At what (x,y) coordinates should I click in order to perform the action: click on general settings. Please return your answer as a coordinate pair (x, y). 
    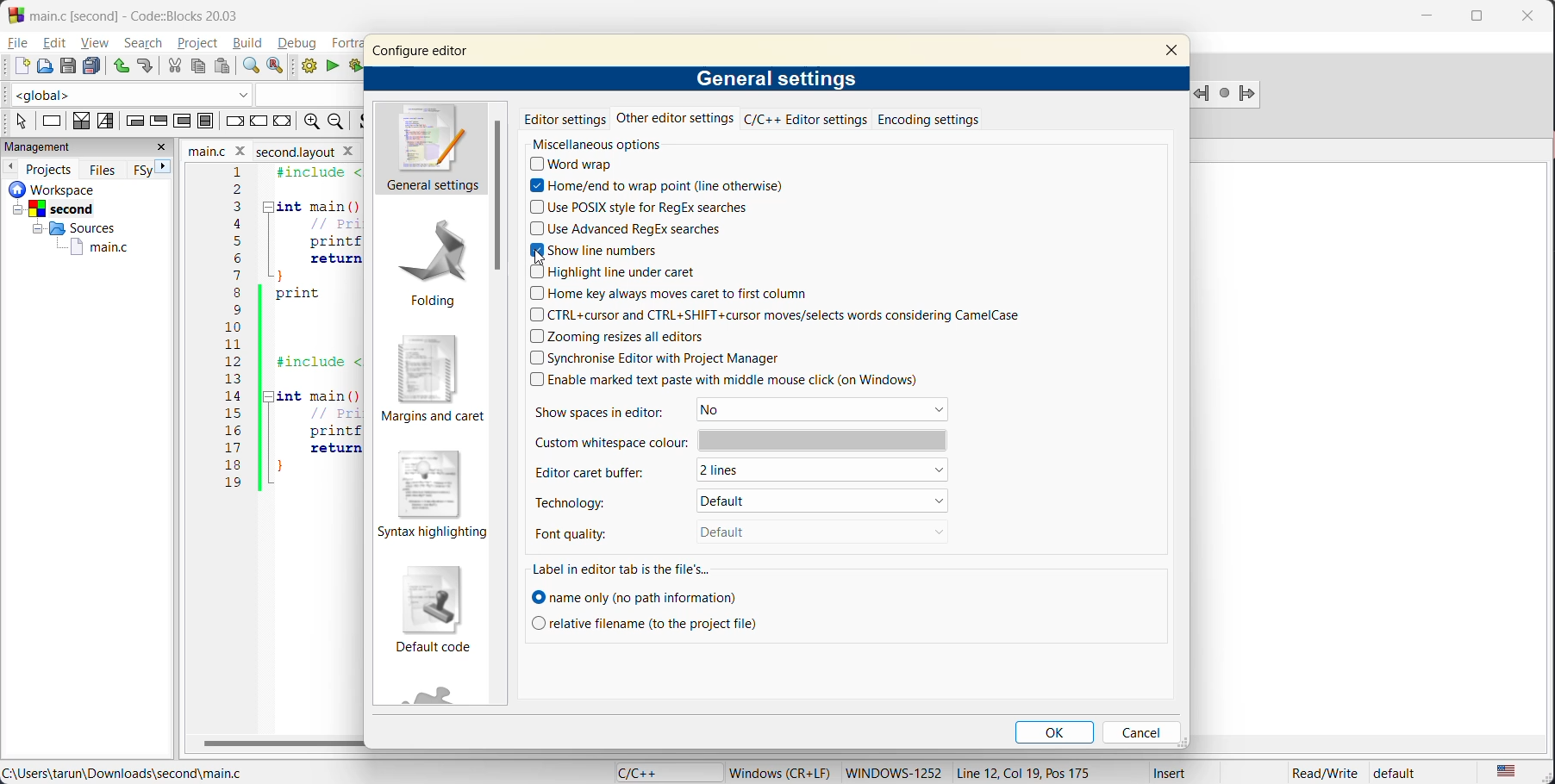
    Looking at the image, I should click on (779, 78).